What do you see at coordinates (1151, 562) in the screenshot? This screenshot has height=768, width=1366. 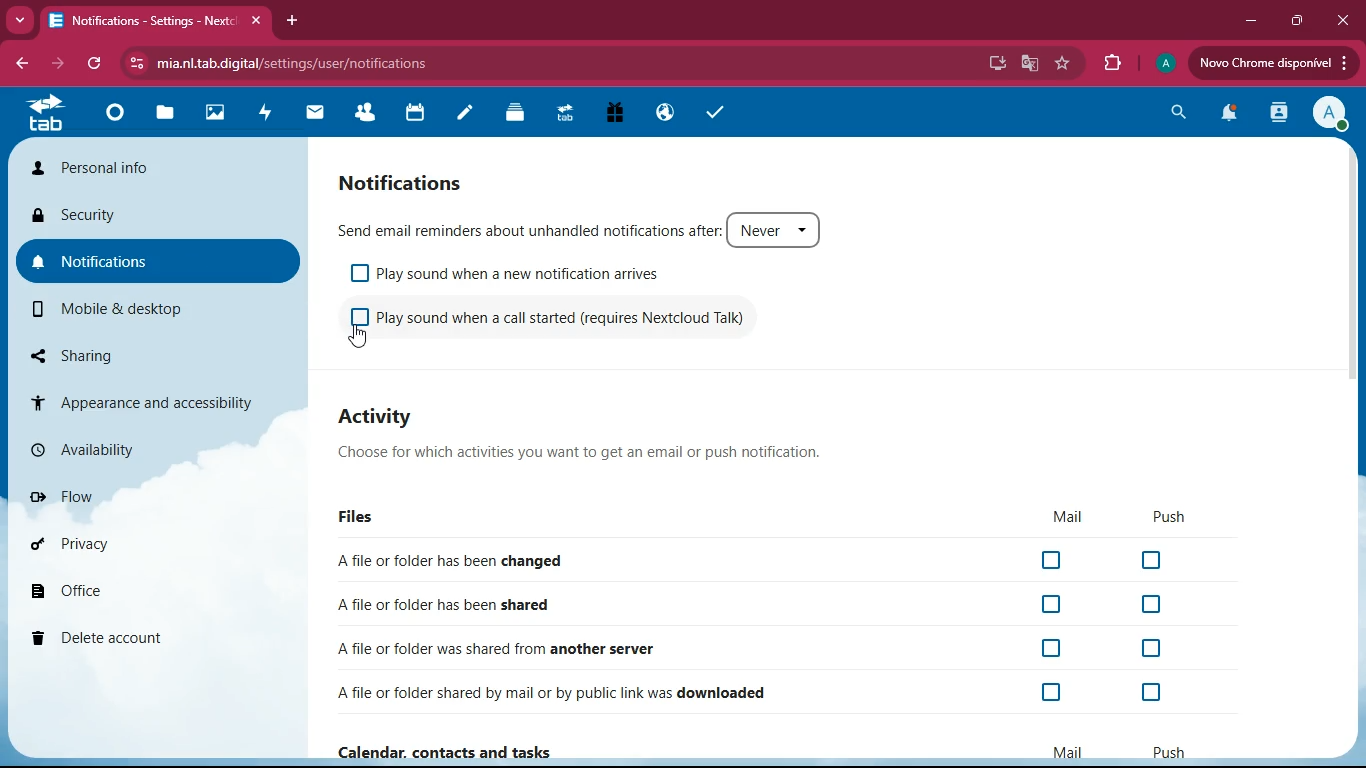 I see `off` at bounding box center [1151, 562].